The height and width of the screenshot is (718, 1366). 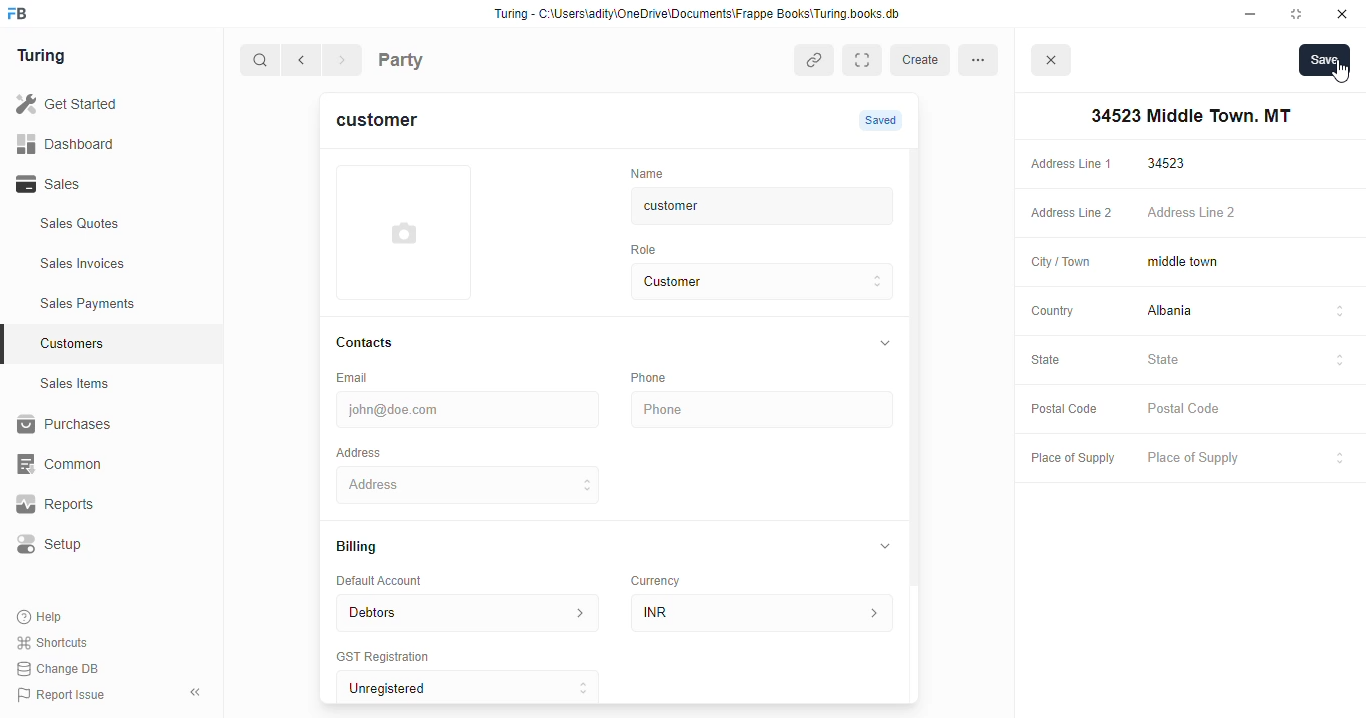 I want to click on collpase, so click(x=195, y=692).